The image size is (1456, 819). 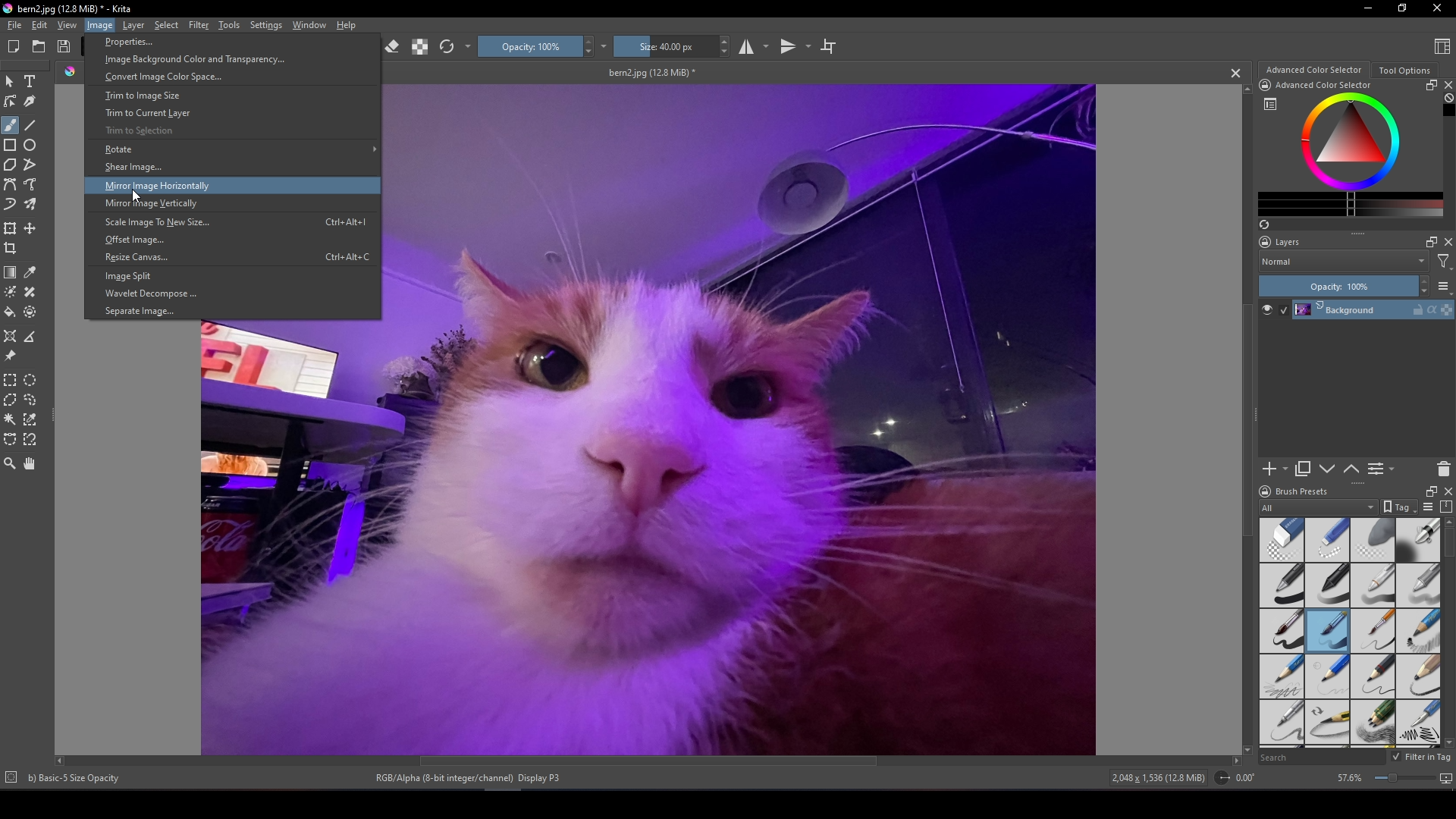 I want to click on Select shapes tool, so click(x=10, y=82).